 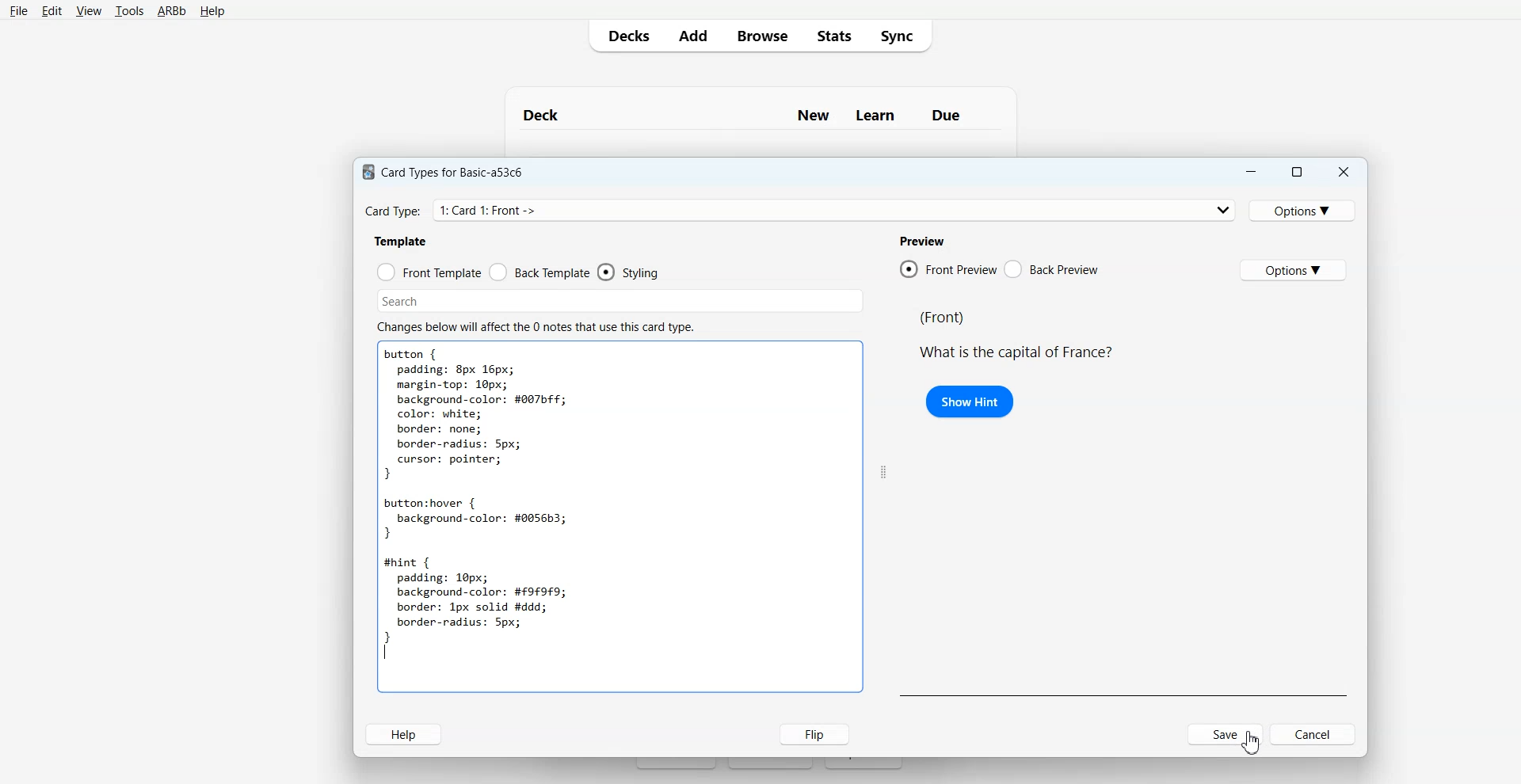 I want to click on Add, so click(x=692, y=36).